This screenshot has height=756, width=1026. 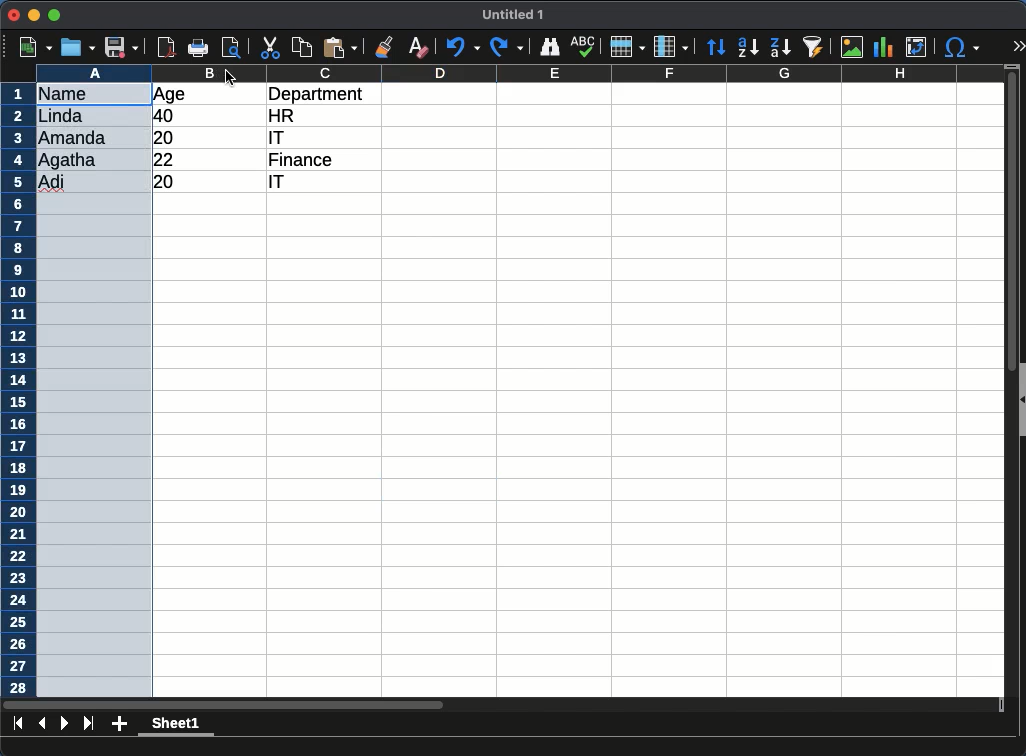 I want to click on clone formatting, so click(x=386, y=46).